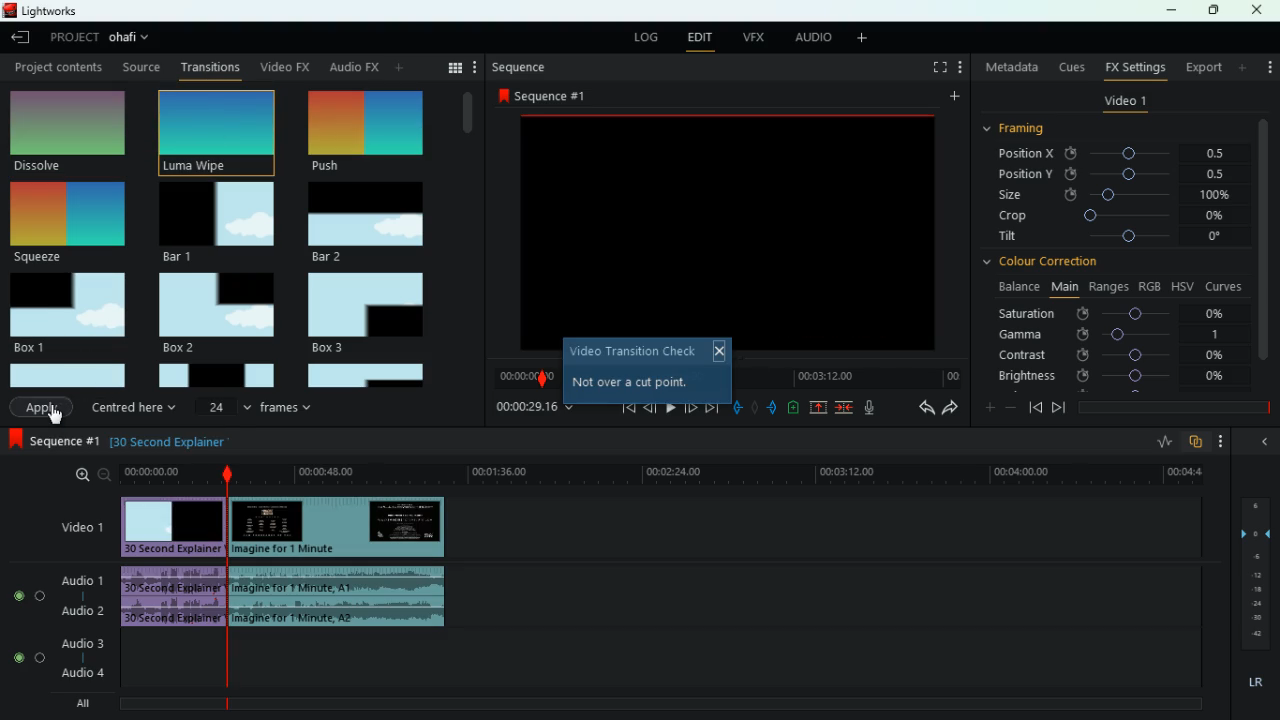 The image size is (1280, 720). What do you see at coordinates (365, 222) in the screenshot?
I see `bar 2` at bounding box center [365, 222].